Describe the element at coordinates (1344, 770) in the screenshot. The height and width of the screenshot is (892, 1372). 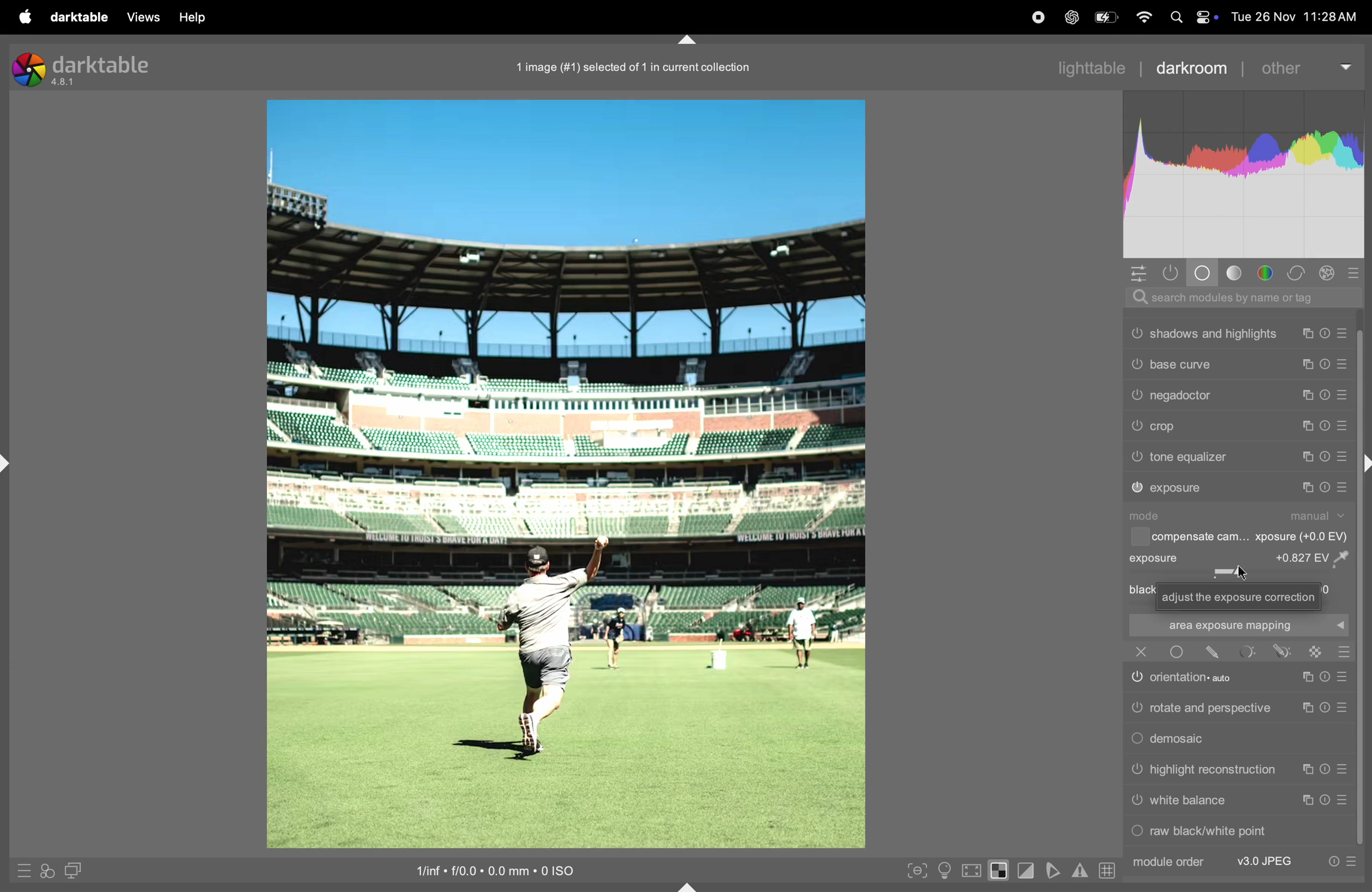
I see `Preset` at that location.